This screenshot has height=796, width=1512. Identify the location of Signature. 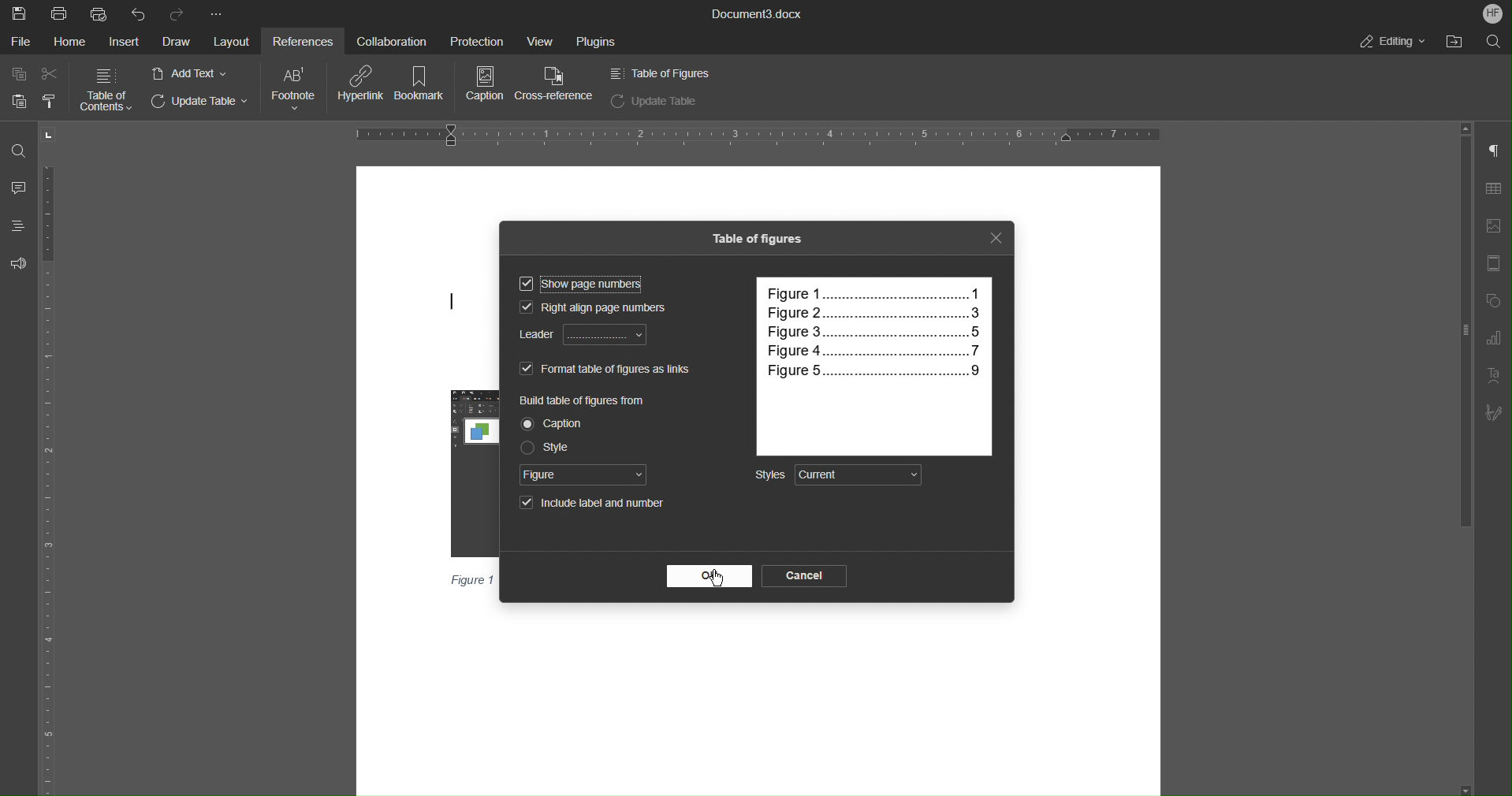
(1492, 415).